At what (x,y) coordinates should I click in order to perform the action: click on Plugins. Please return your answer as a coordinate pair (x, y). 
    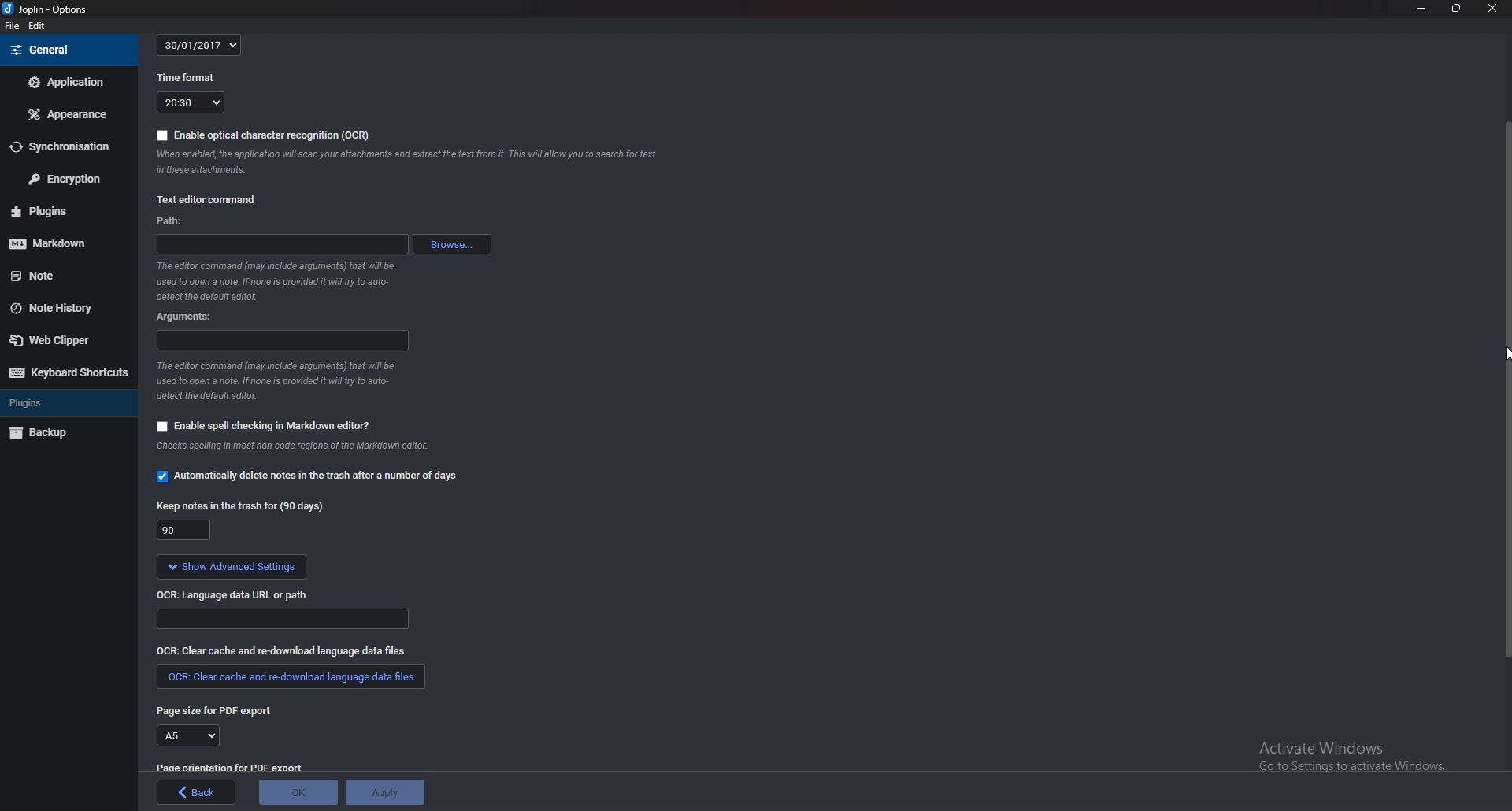
    Looking at the image, I should click on (66, 402).